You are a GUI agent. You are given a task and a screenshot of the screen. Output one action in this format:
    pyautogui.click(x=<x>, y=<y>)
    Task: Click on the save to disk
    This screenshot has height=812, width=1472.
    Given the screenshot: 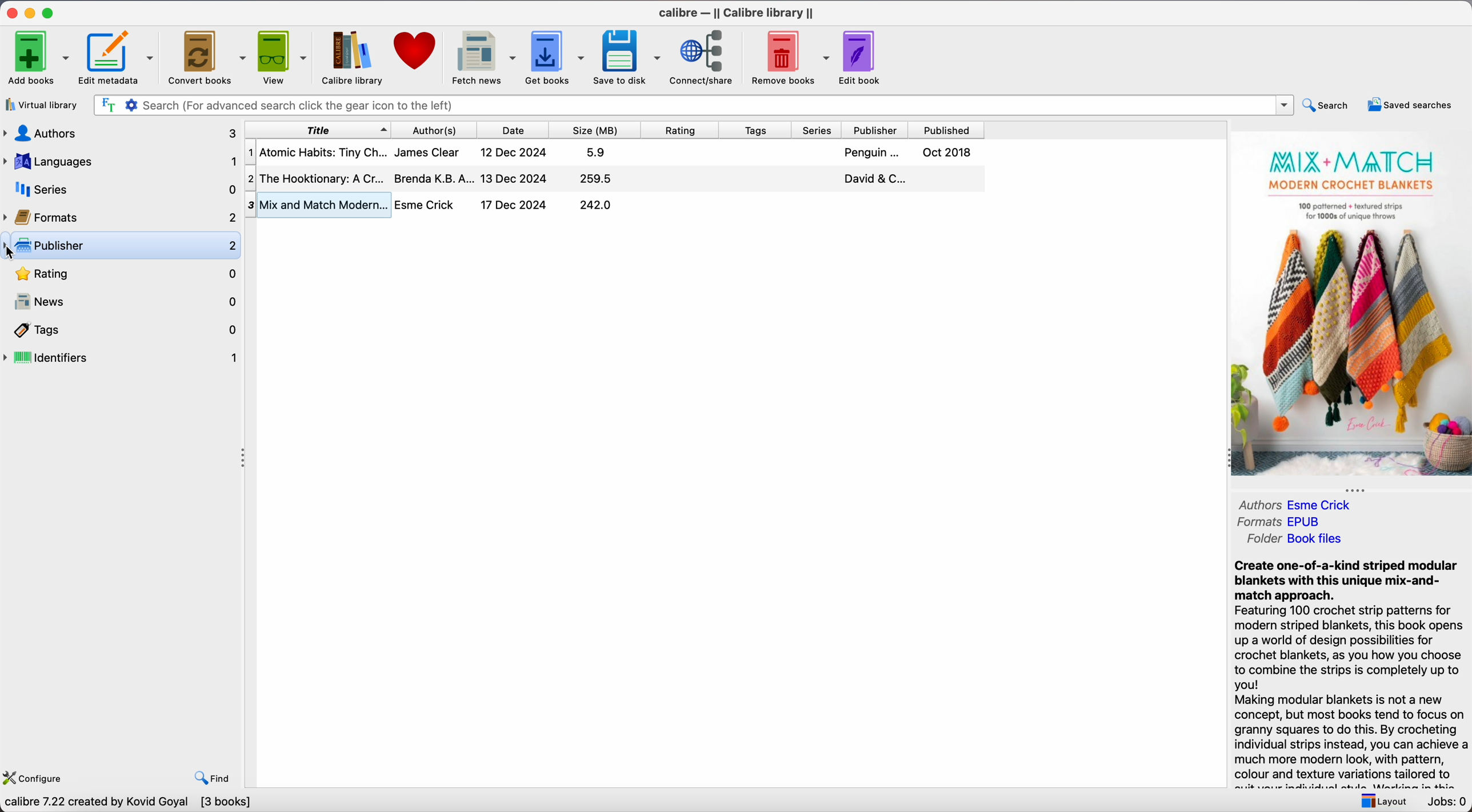 What is the action you would take?
    pyautogui.click(x=628, y=57)
    